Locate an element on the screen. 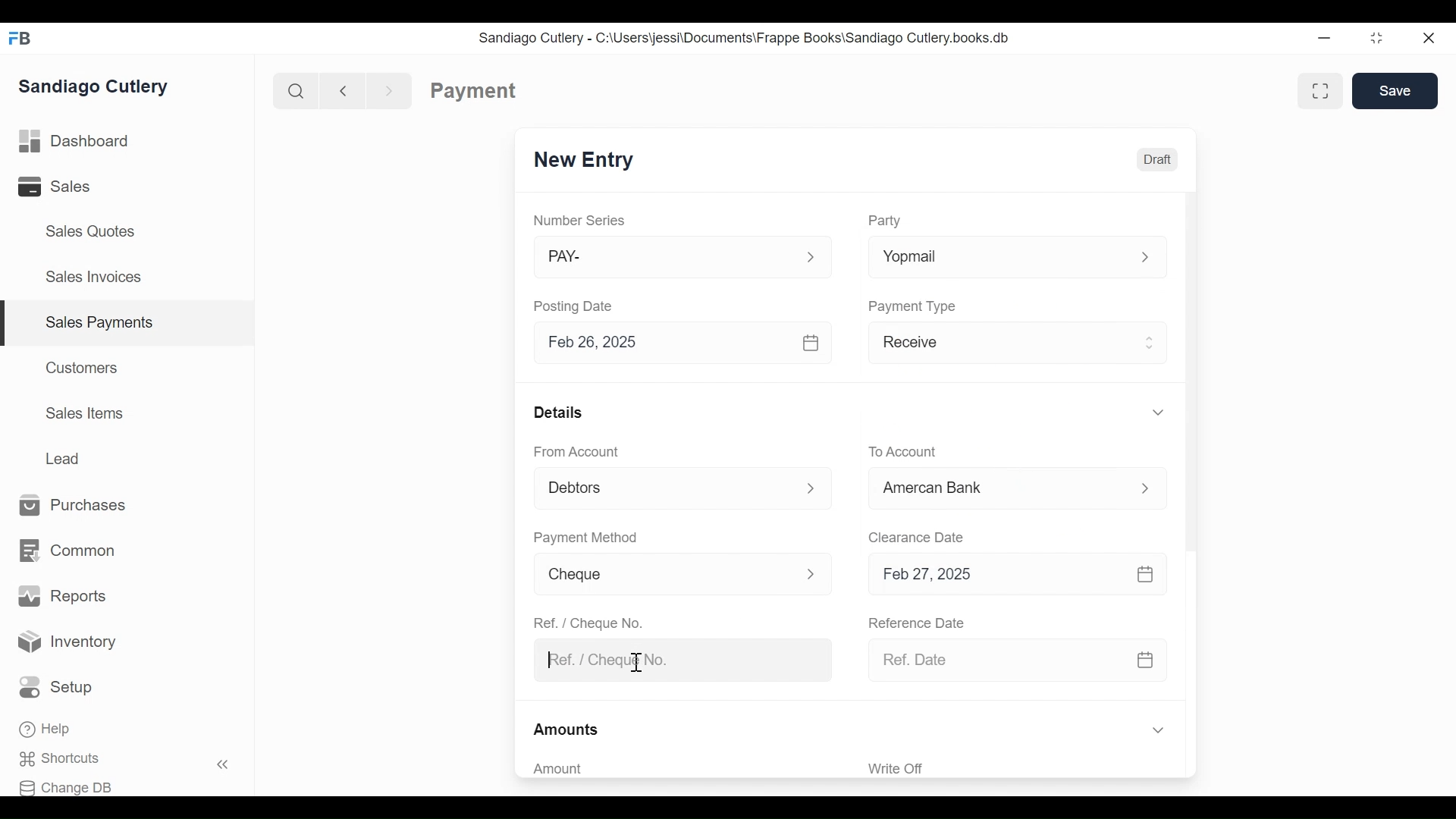 This screenshot has height=819, width=1456. | Sales Payments is located at coordinates (129, 324).